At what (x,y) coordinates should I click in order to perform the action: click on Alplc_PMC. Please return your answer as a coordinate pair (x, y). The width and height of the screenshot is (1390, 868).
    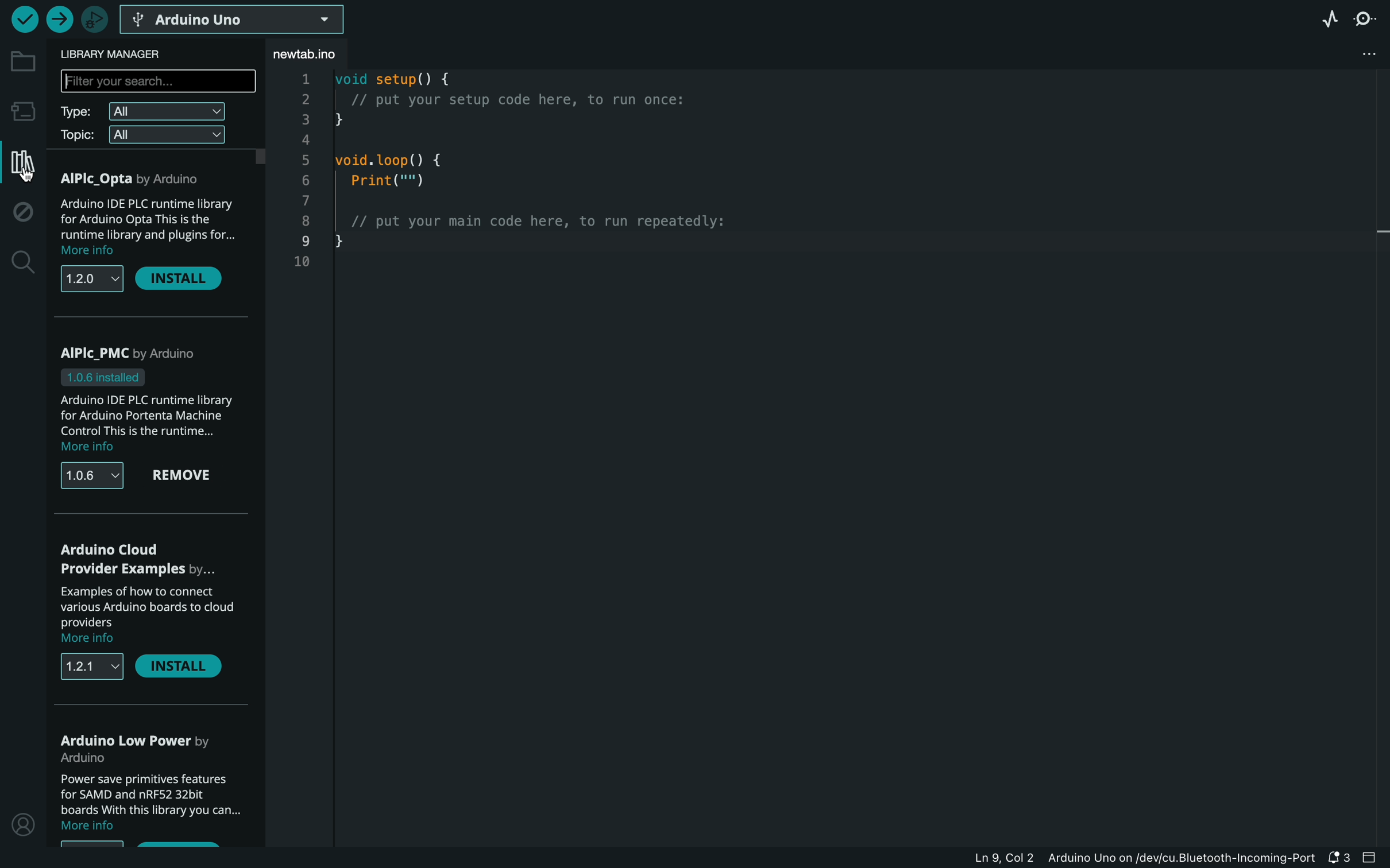
    Looking at the image, I should click on (136, 363).